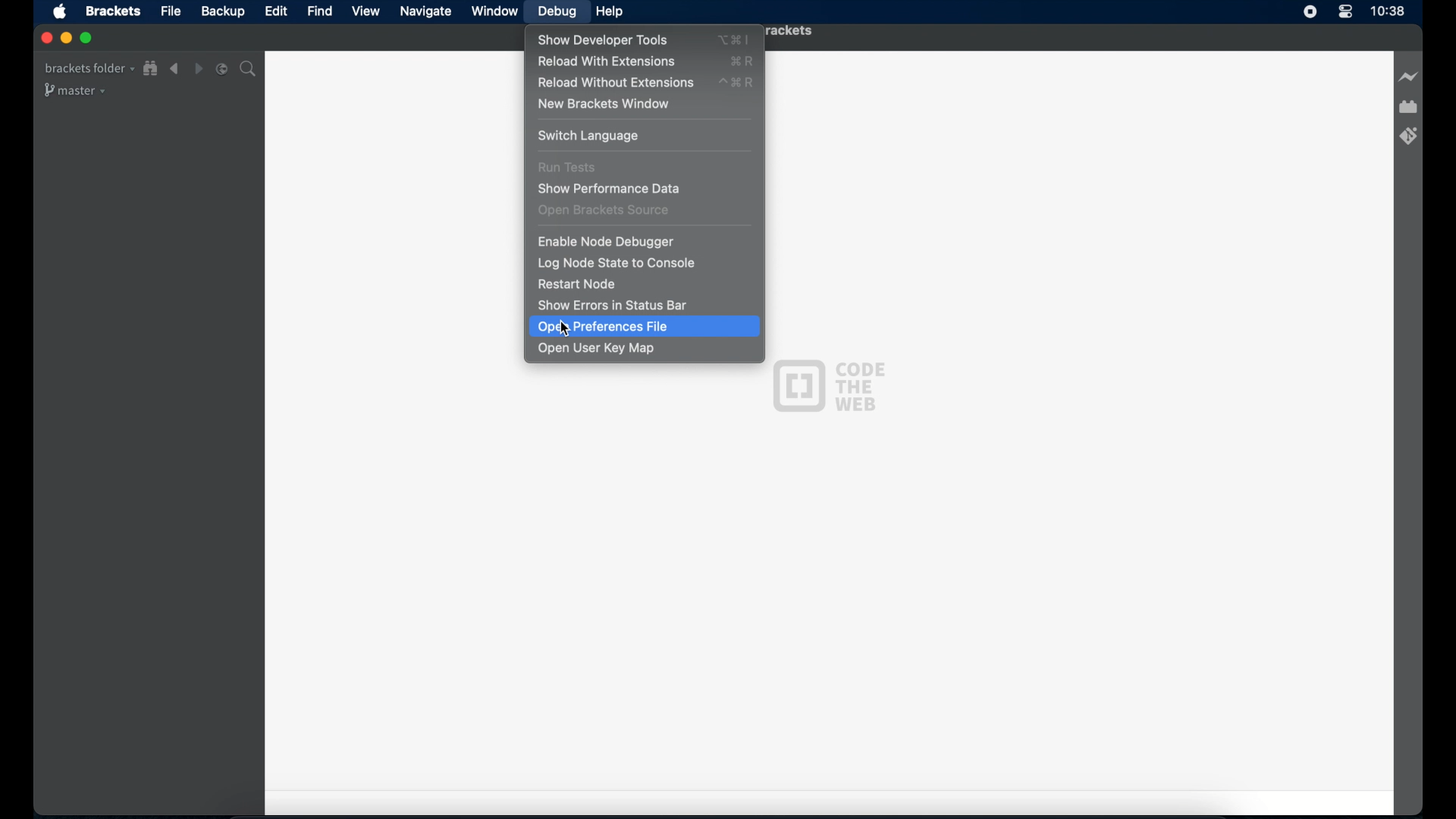  Describe the element at coordinates (607, 62) in the screenshot. I see `reload with extensions` at that location.